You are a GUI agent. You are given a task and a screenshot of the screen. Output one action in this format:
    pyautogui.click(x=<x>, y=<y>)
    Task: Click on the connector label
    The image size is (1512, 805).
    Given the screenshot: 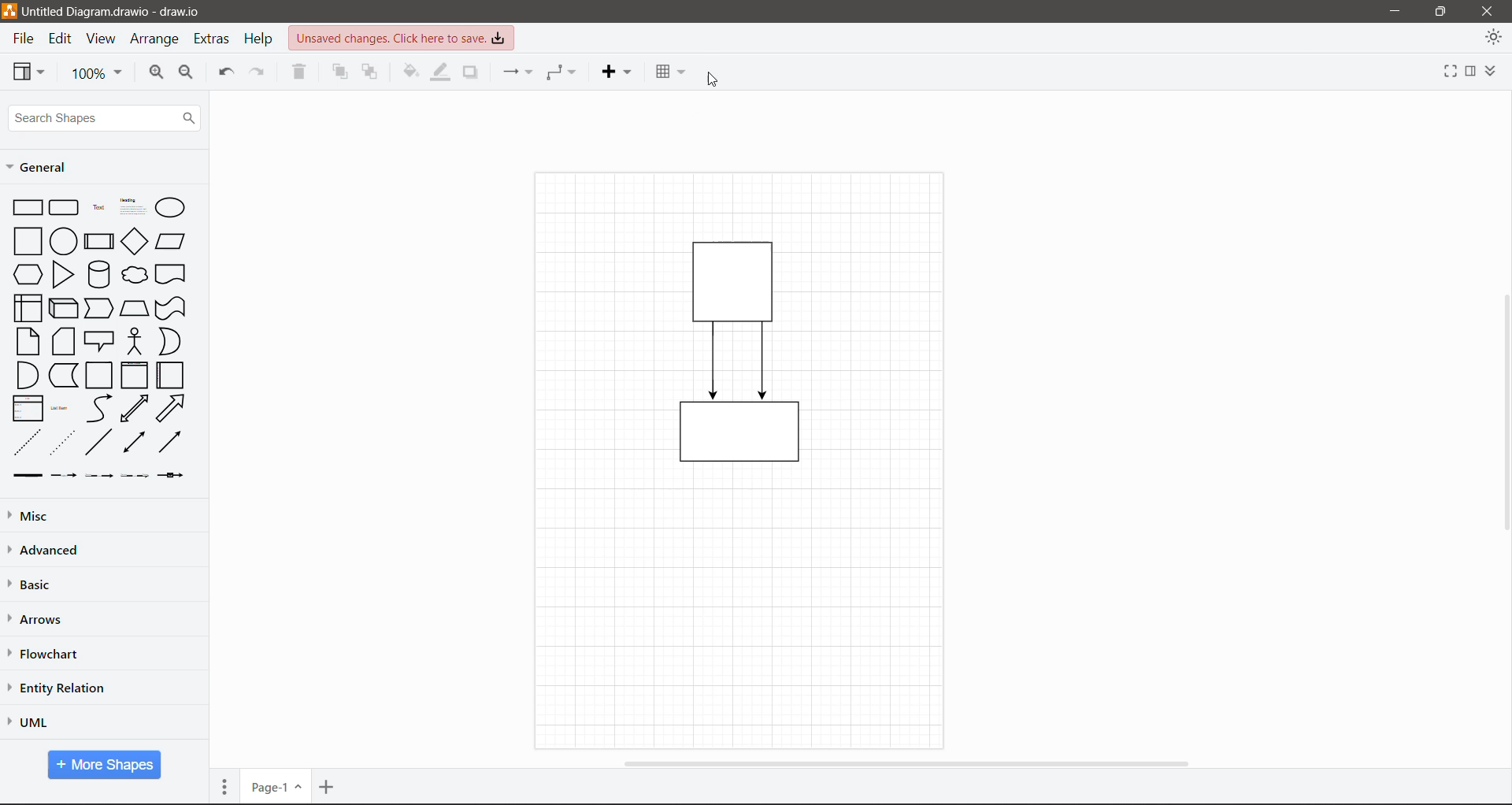 What is the action you would take?
    pyautogui.click(x=64, y=475)
    